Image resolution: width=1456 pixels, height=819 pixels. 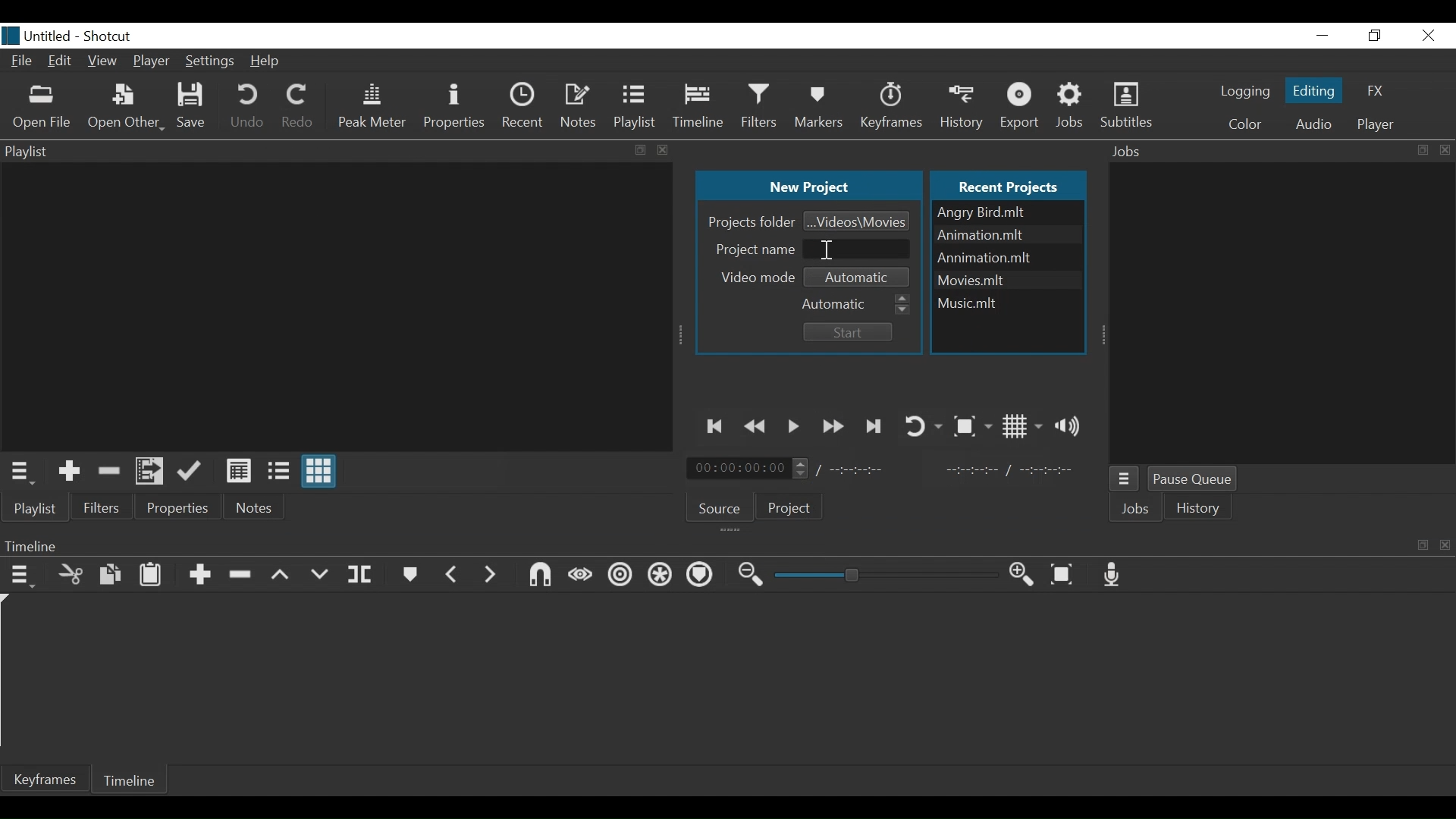 What do you see at coordinates (69, 471) in the screenshot?
I see `Add the Source to the playlist` at bounding box center [69, 471].